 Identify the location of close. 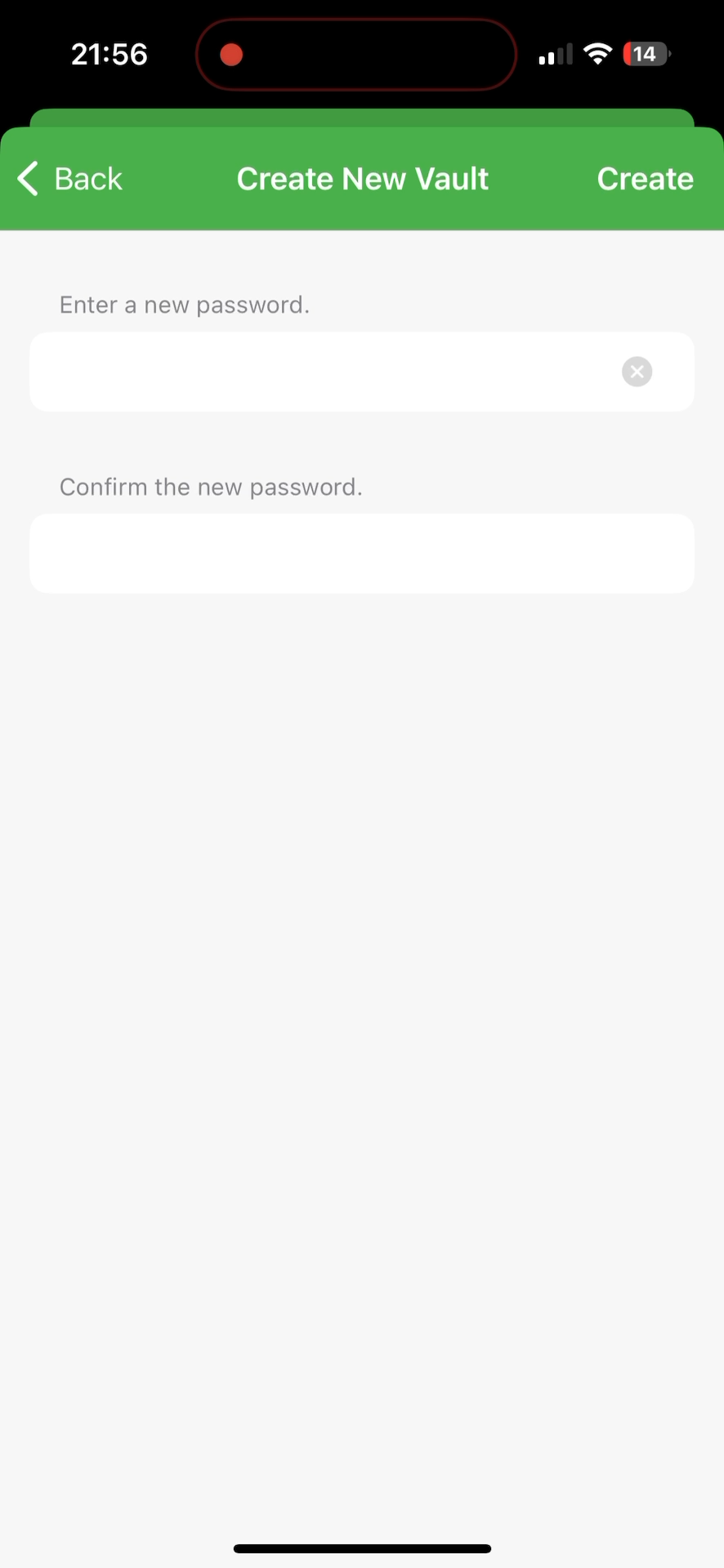
(646, 371).